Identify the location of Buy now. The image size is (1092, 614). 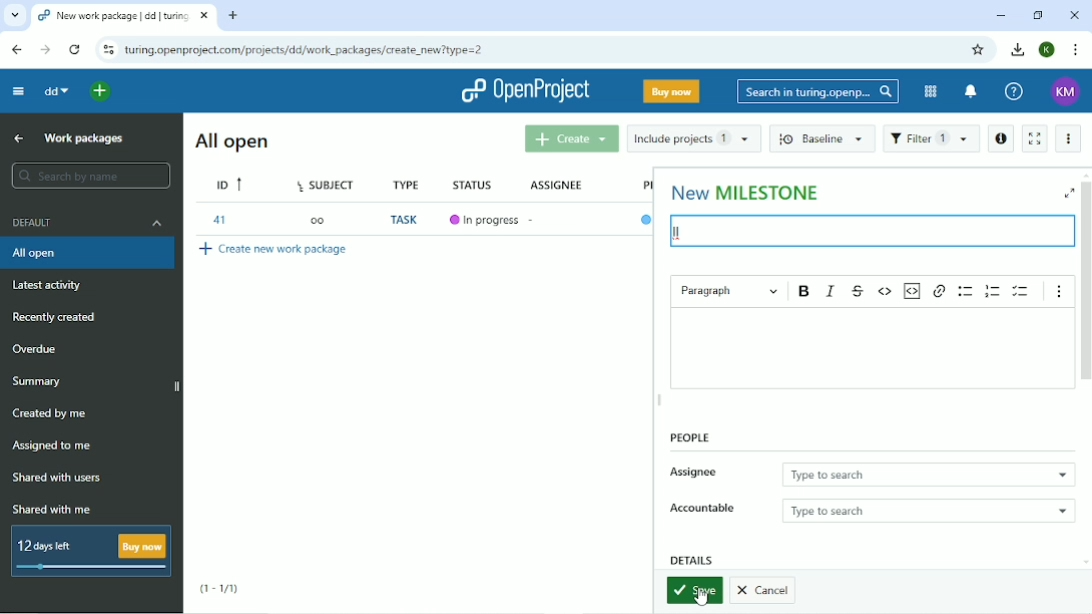
(671, 91).